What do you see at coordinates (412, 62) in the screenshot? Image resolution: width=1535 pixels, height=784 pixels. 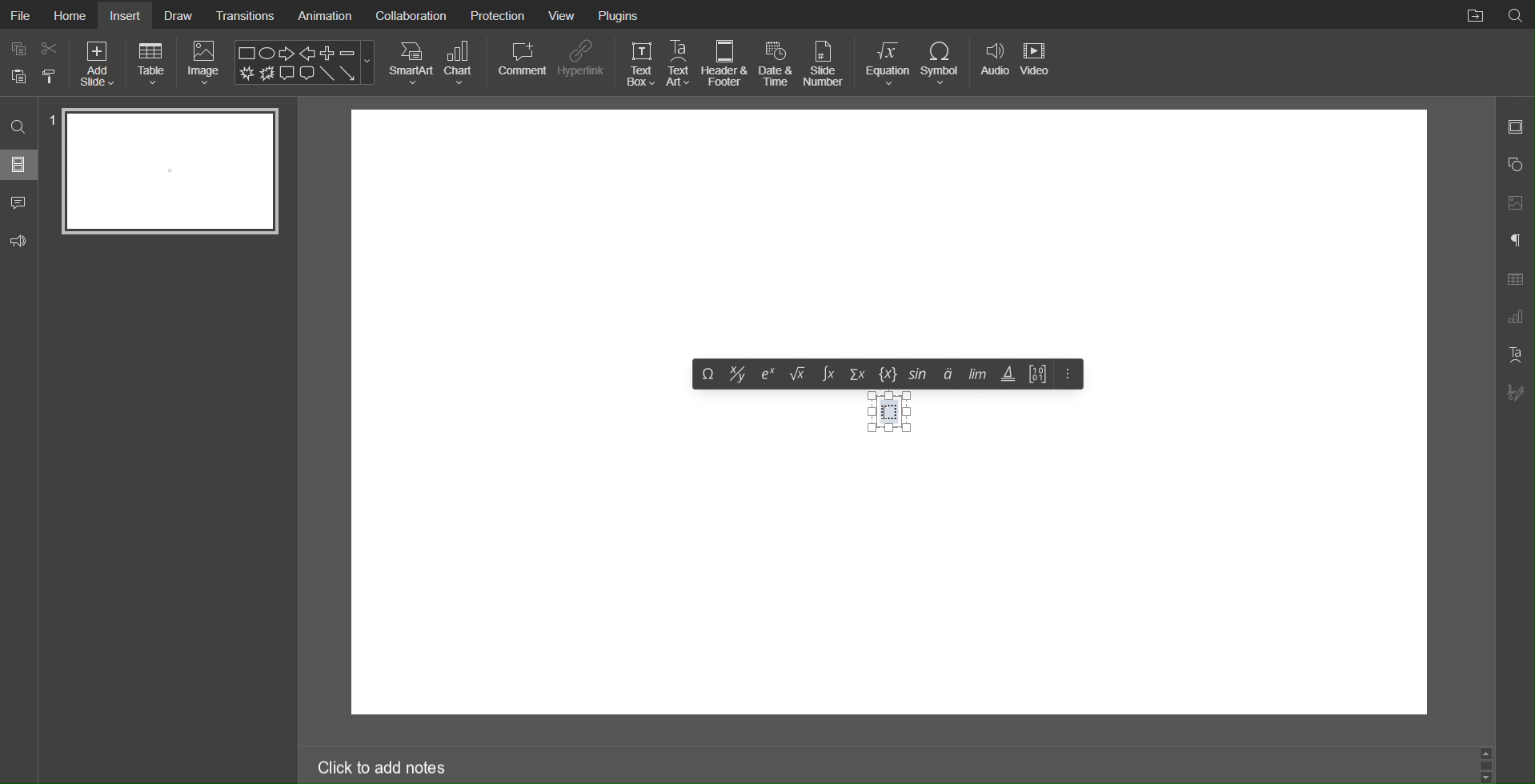 I see `SmartArt` at bounding box center [412, 62].